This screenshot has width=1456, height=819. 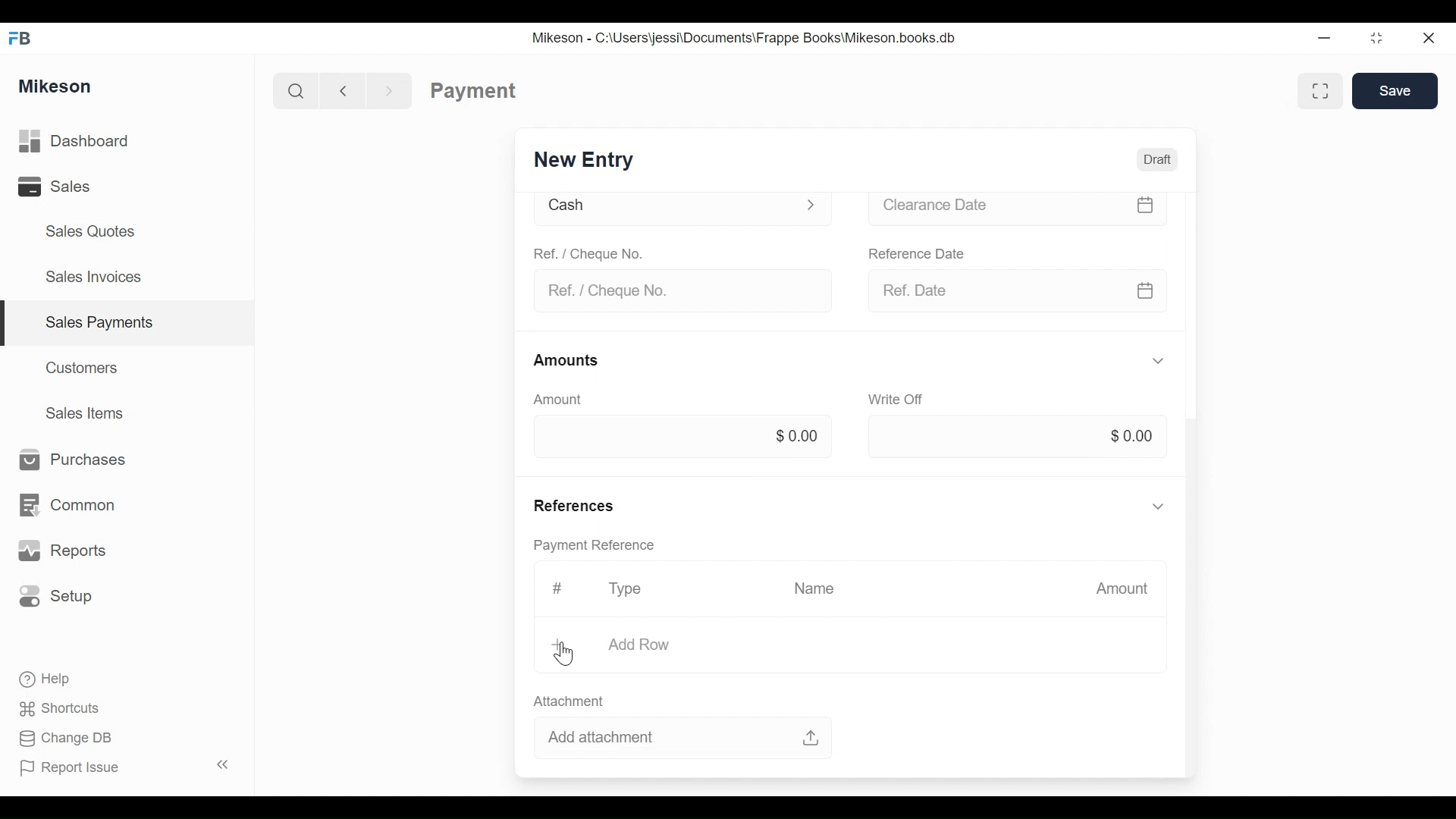 What do you see at coordinates (99, 142) in the screenshot?
I see `Dashboard` at bounding box center [99, 142].